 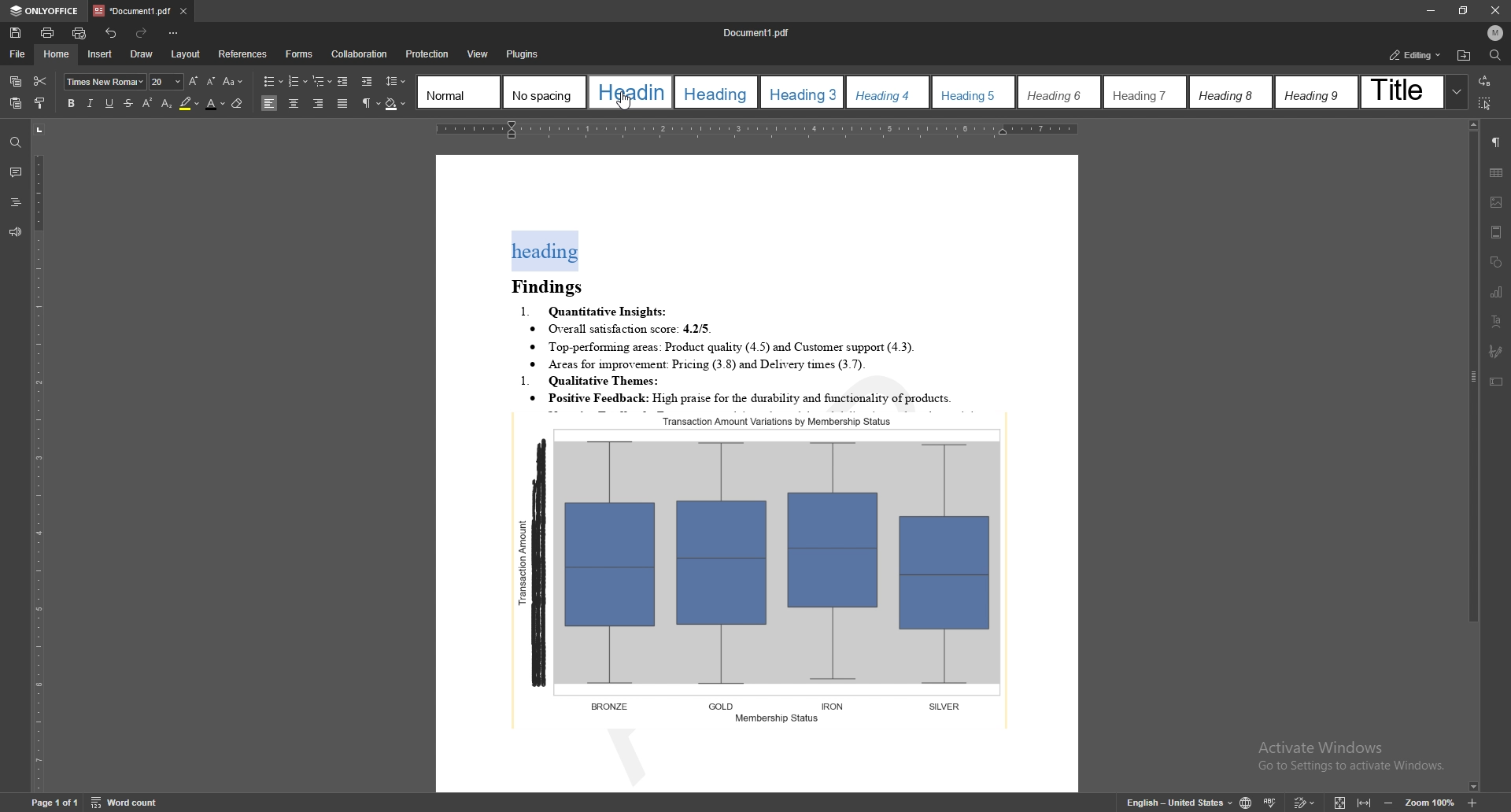 I want to click on copy, so click(x=16, y=82).